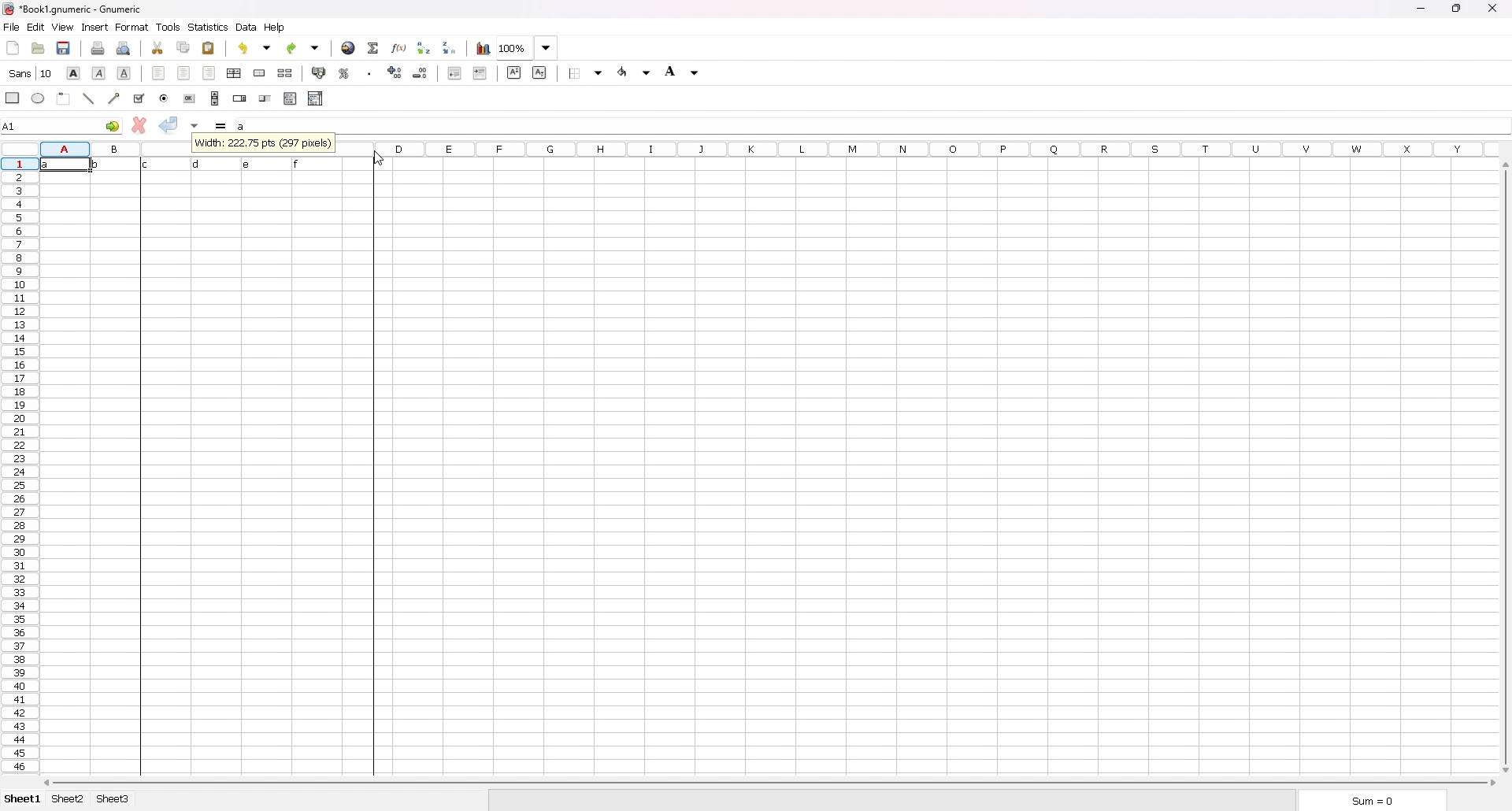 The height and width of the screenshot is (811, 1512). I want to click on increase indent, so click(480, 72).